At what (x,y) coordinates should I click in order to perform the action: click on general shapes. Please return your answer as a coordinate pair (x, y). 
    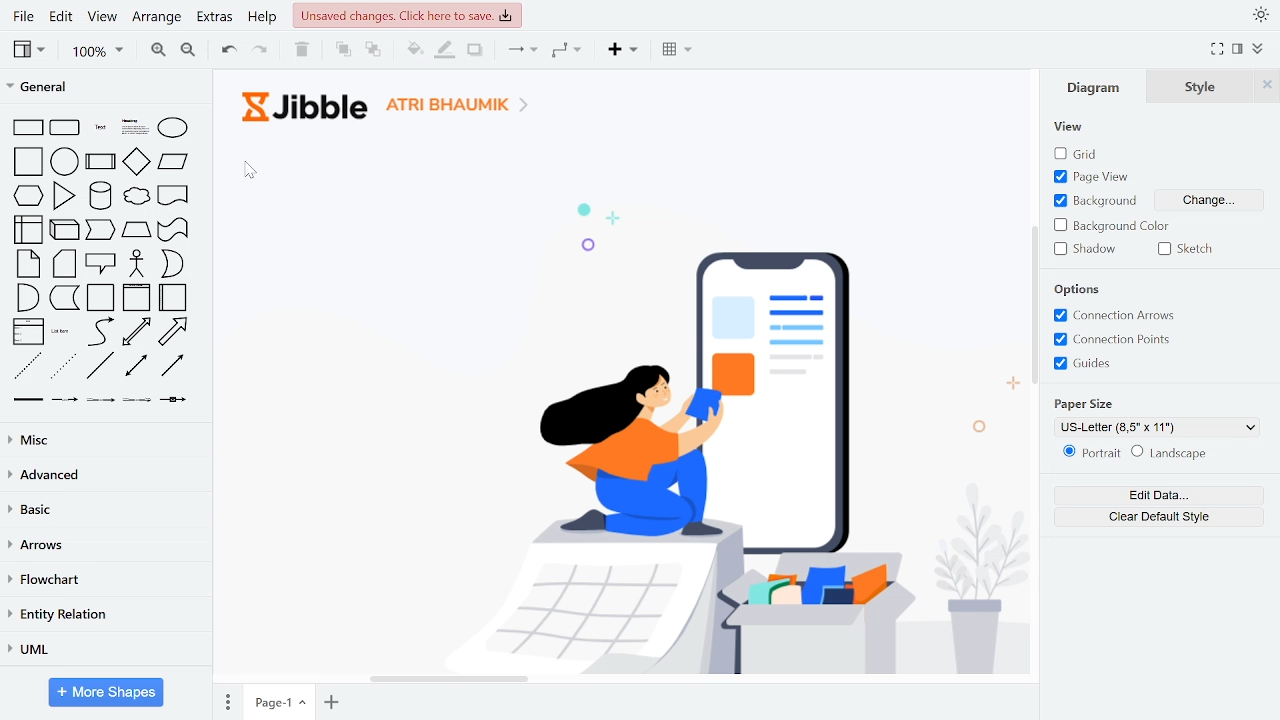
    Looking at the image, I should click on (25, 368).